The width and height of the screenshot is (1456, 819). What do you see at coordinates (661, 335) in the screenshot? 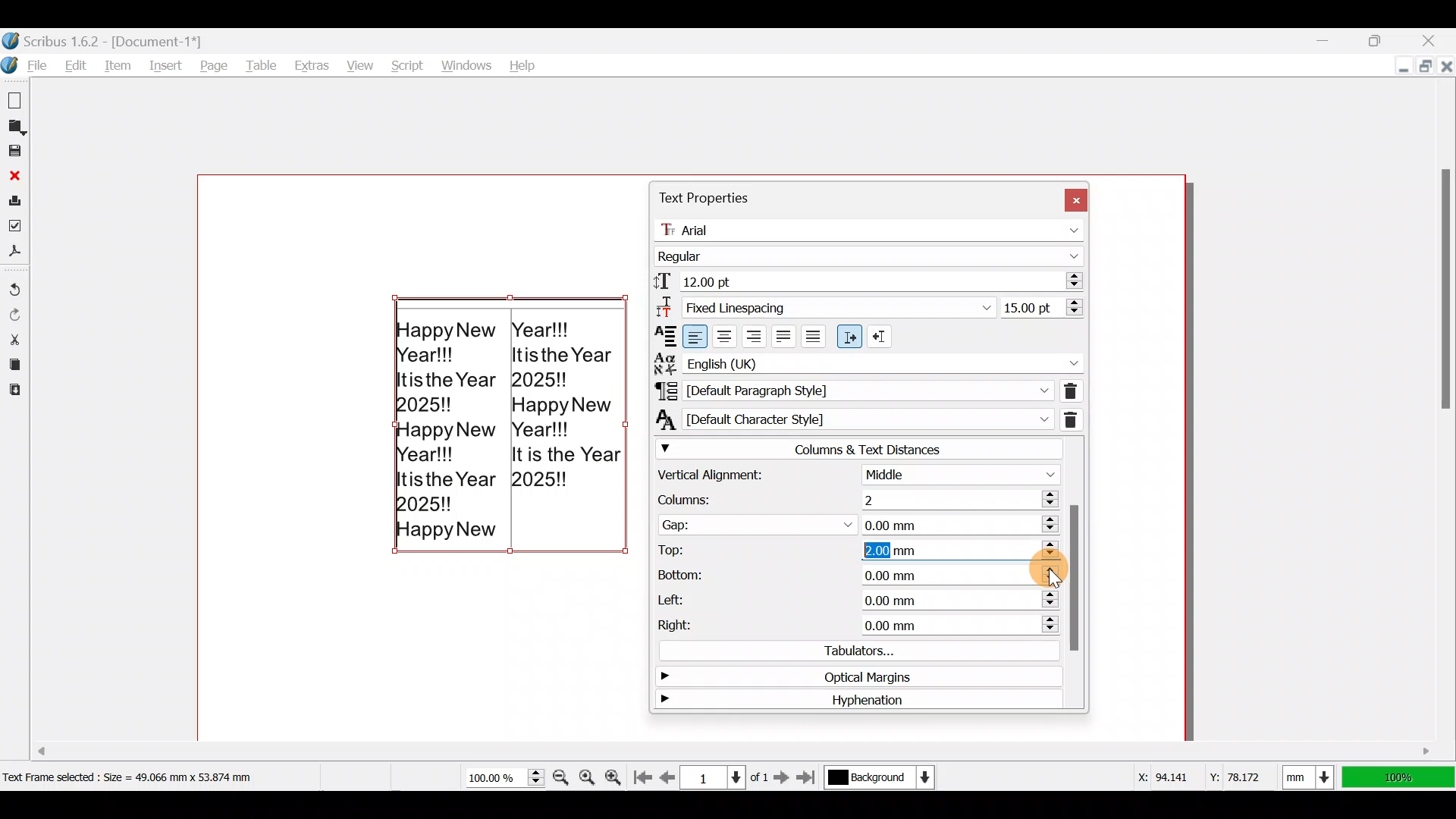
I see `Text Alignment` at bounding box center [661, 335].